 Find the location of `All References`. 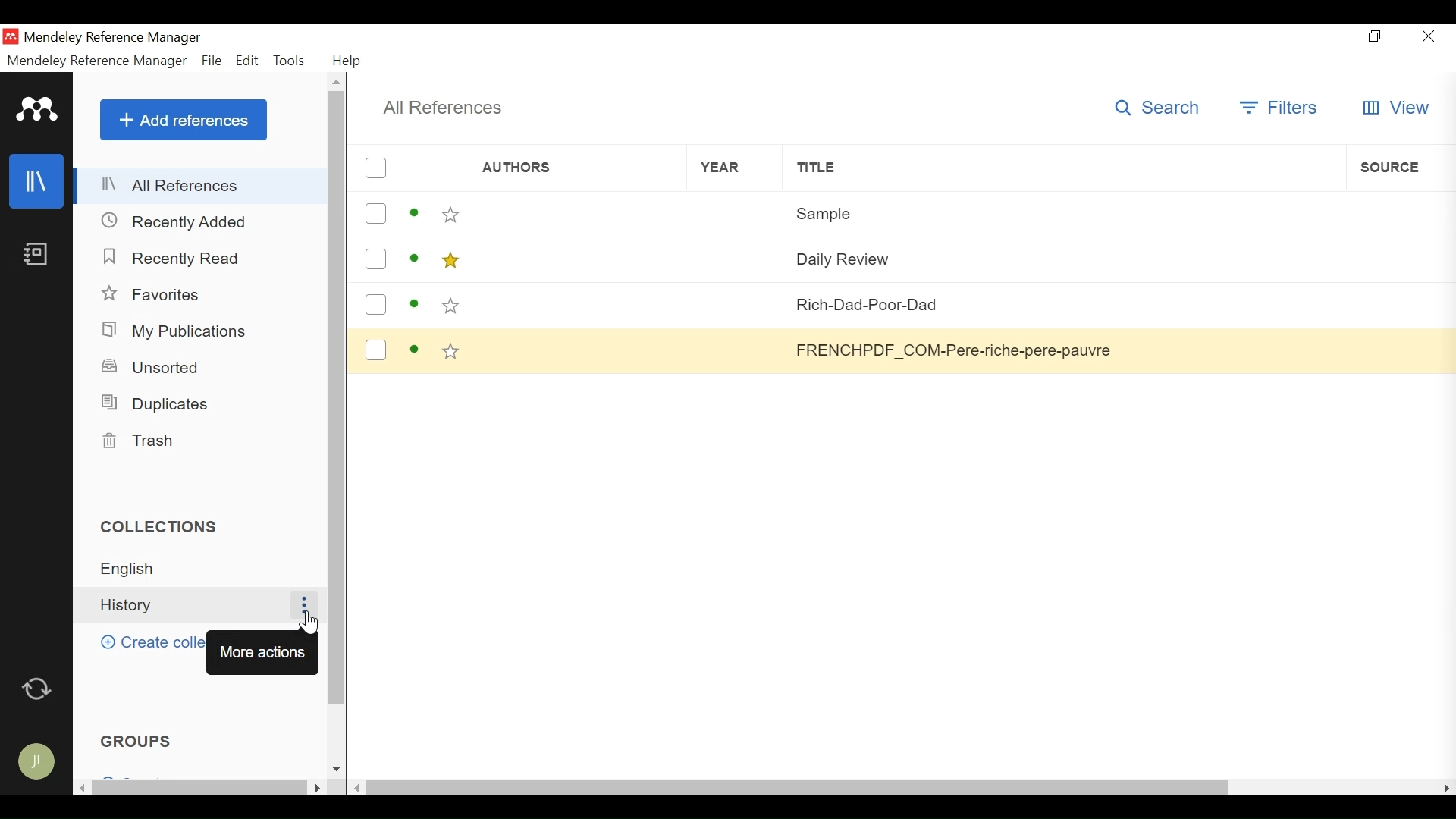

All References is located at coordinates (442, 108).